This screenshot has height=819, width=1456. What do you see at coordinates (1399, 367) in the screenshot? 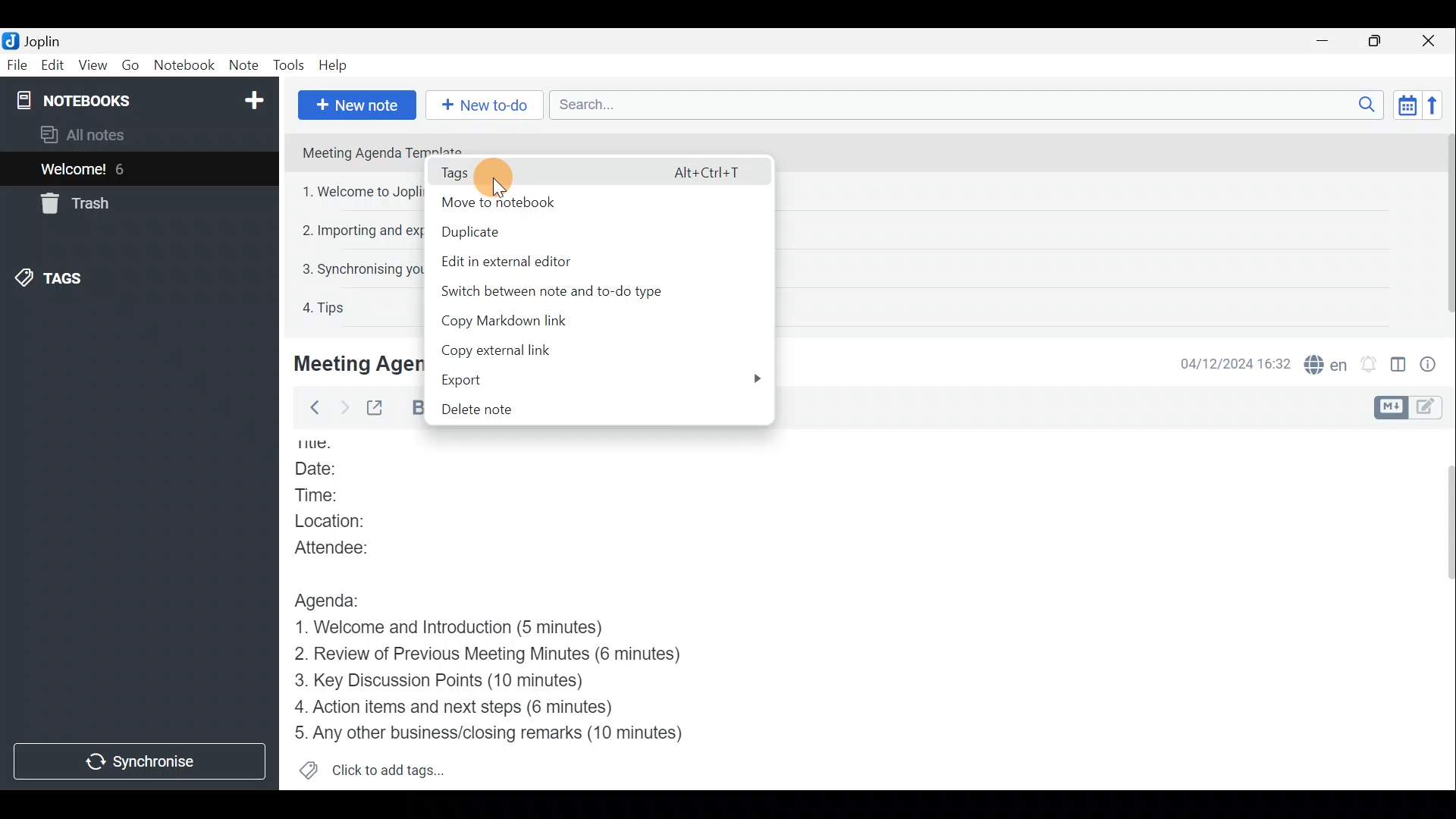
I see `Toggle editor layout` at bounding box center [1399, 367].